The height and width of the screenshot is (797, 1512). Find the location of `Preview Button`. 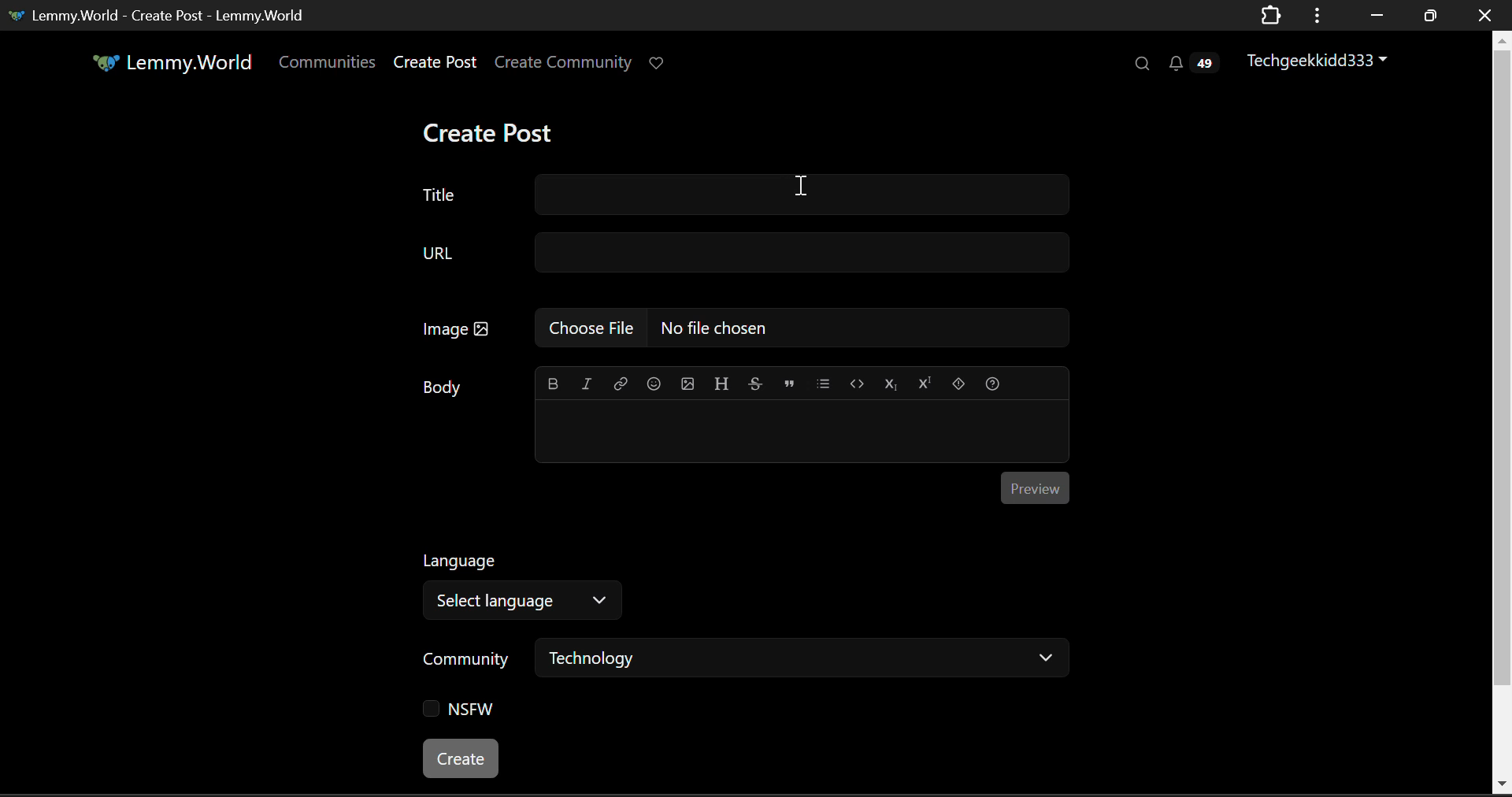

Preview Button is located at coordinates (1035, 489).